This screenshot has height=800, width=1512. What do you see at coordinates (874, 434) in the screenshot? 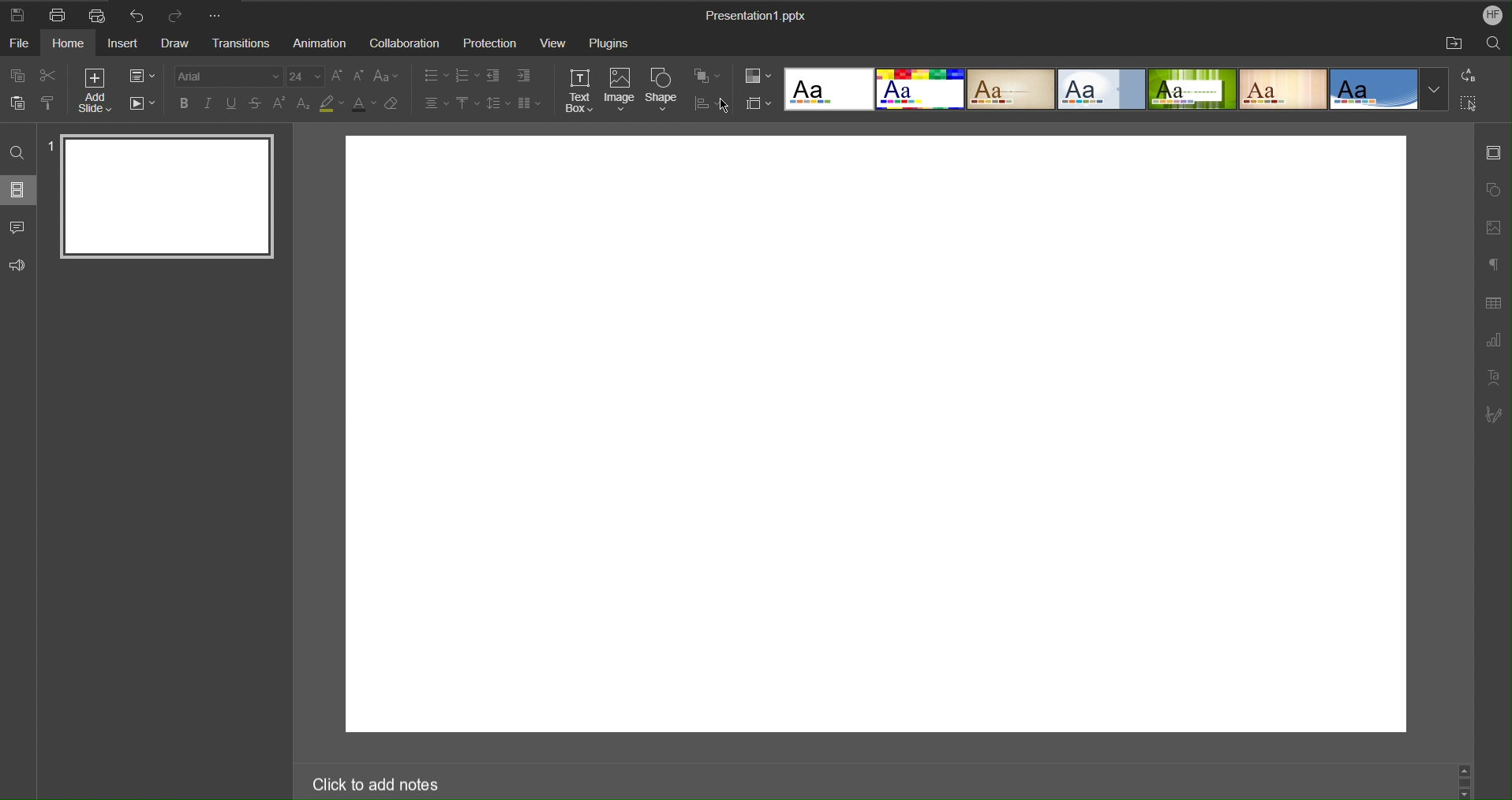
I see `Slide 1 blank space` at bounding box center [874, 434].